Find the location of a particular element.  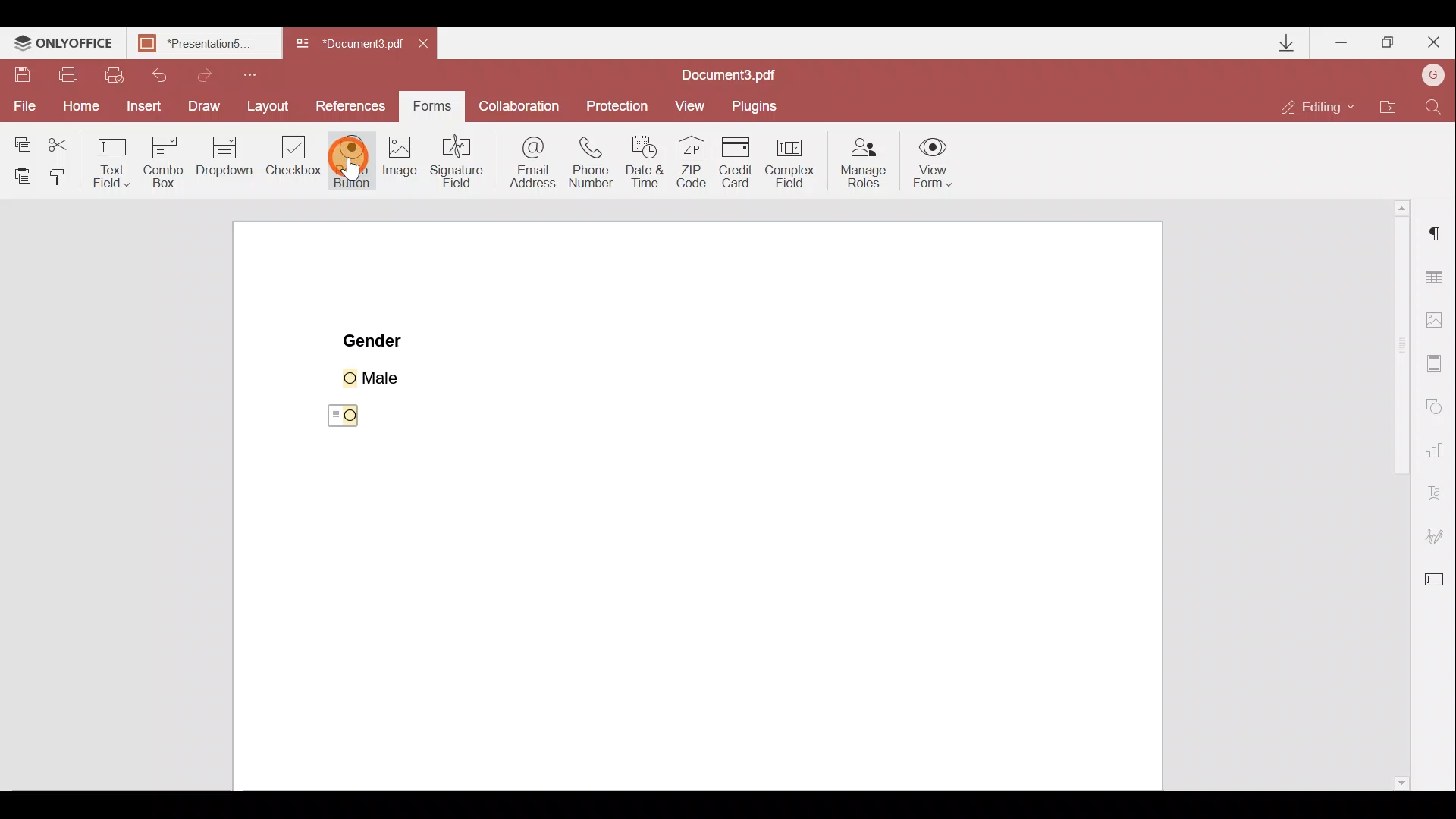

Cursor is located at coordinates (344, 416).